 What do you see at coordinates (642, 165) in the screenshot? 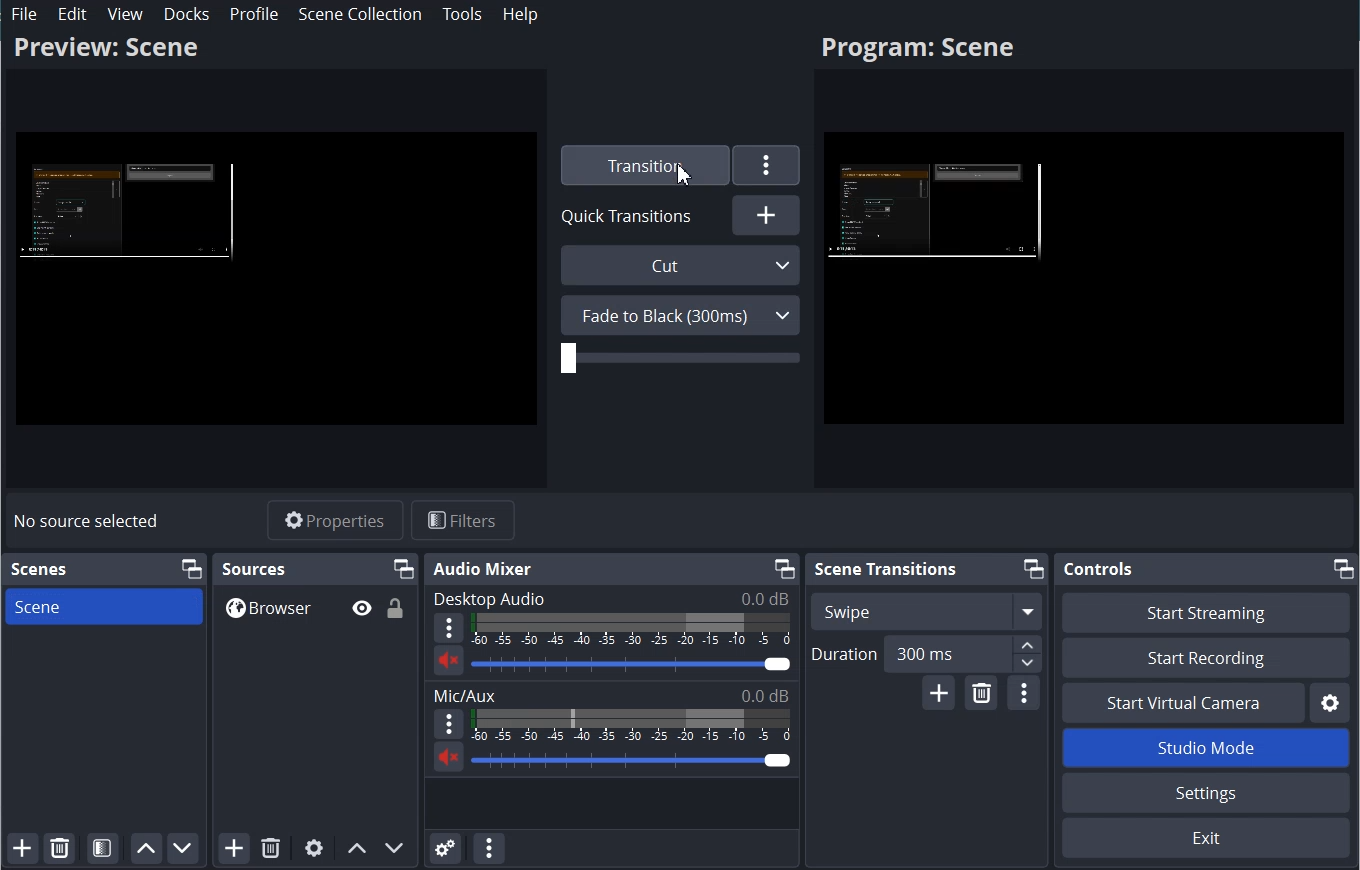
I see `Transition` at bounding box center [642, 165].